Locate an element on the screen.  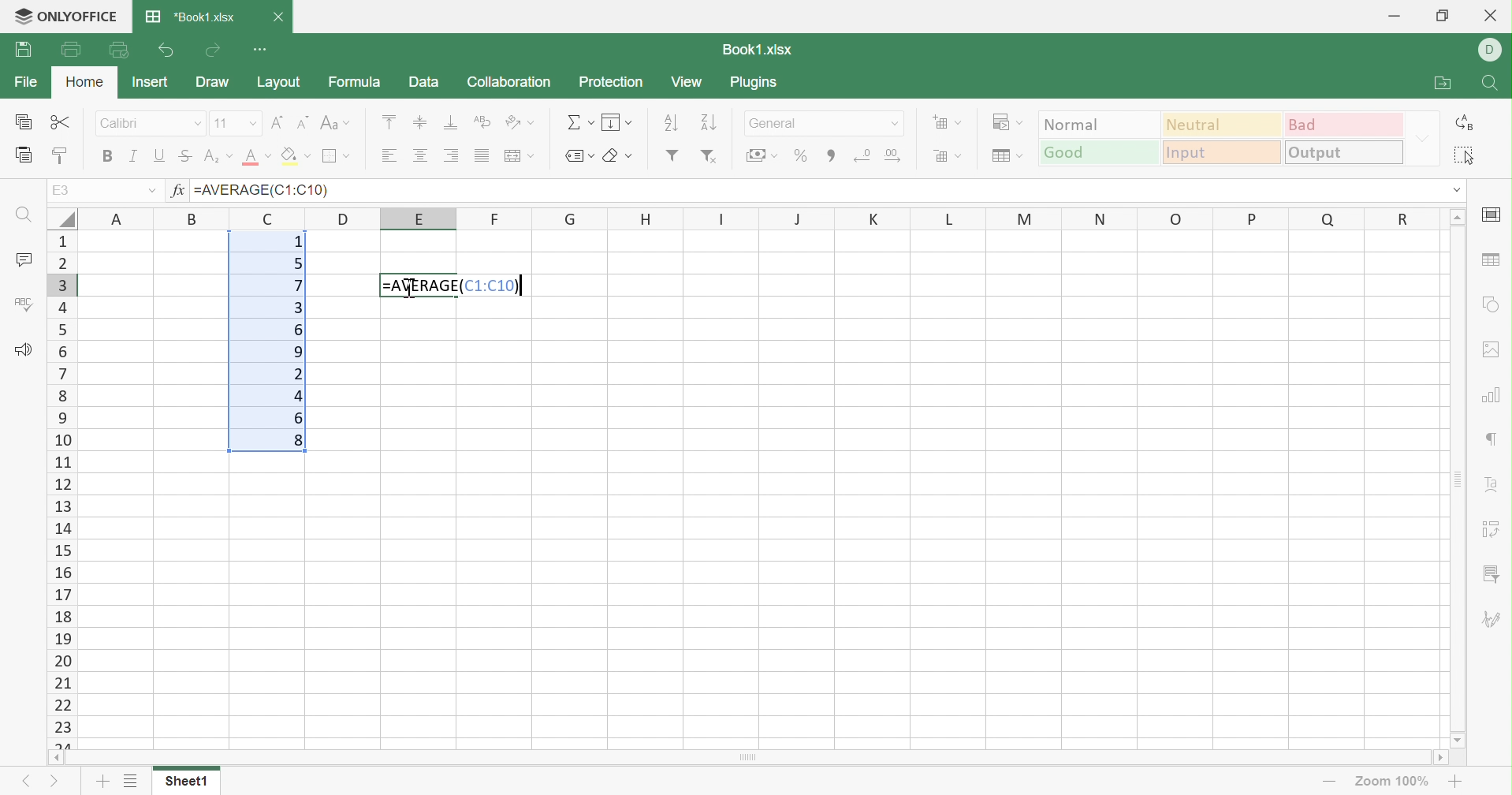
Scroll Bar is located at coordinates (1454, 480).